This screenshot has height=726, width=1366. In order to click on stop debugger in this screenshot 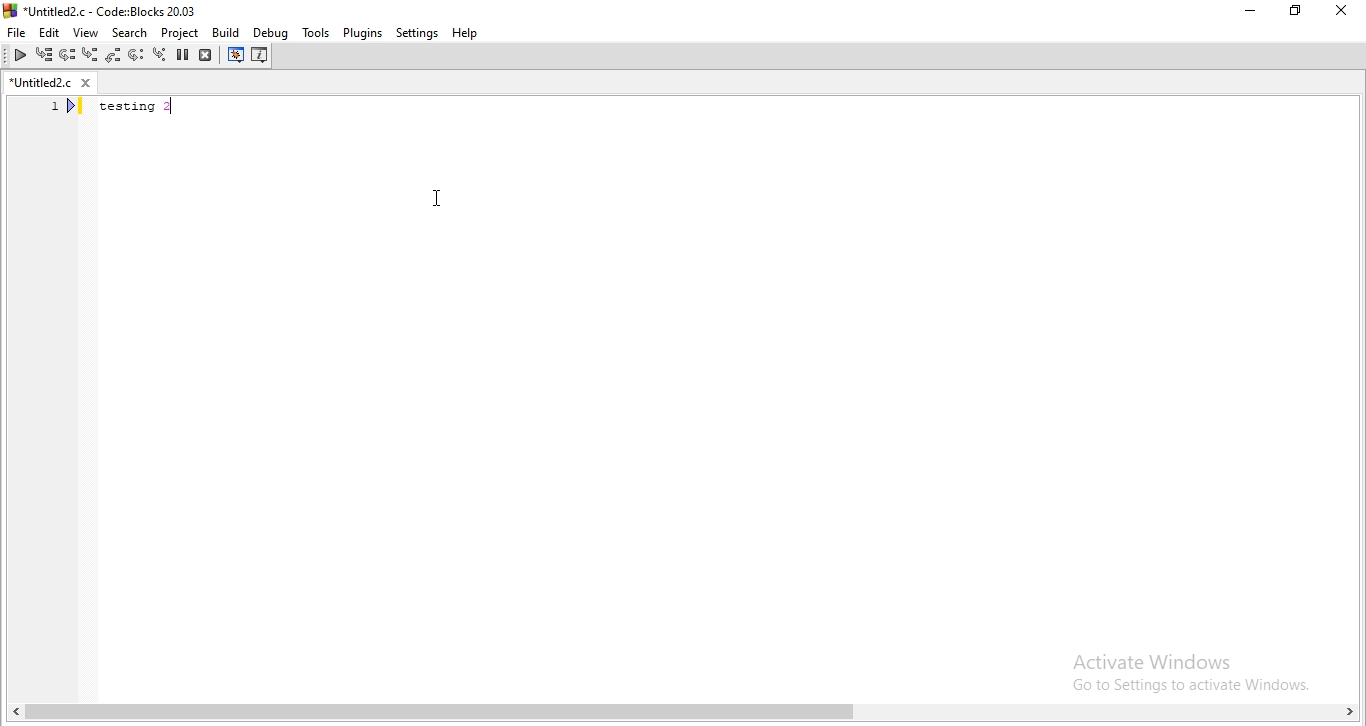, I will do `click(206, 55)`.